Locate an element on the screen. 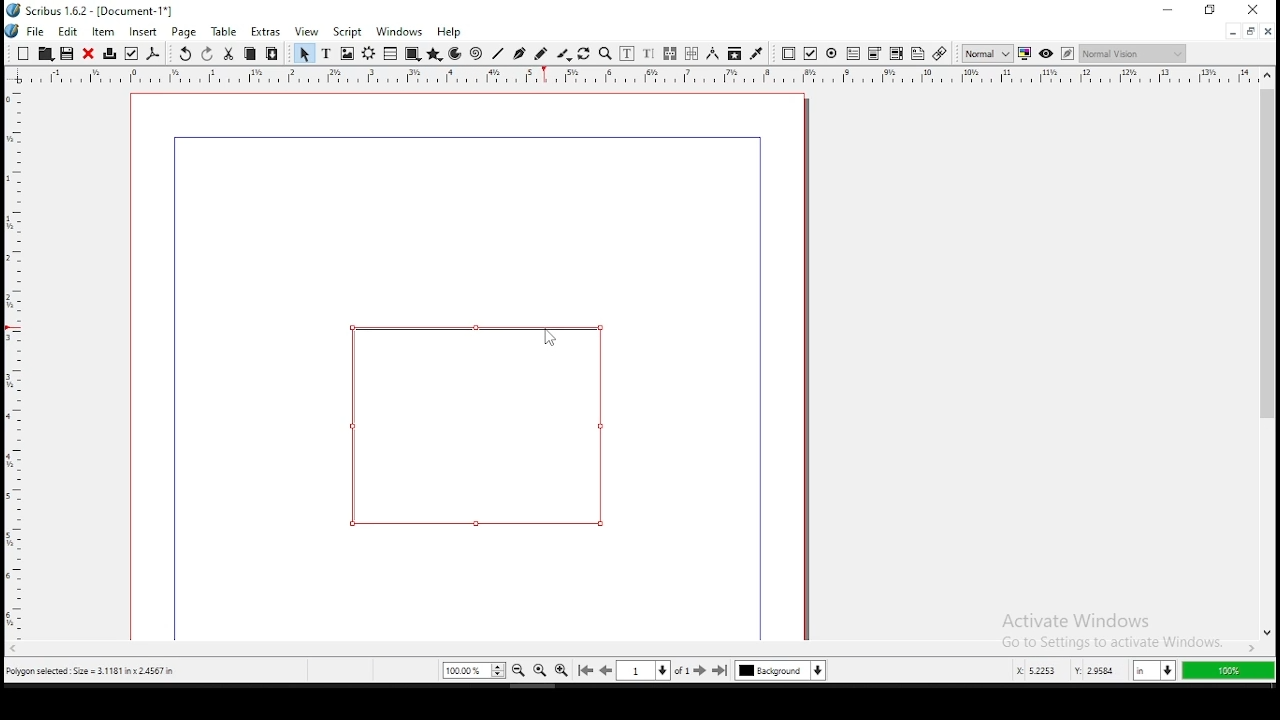  minimize is located at coordinates (1232, 33).